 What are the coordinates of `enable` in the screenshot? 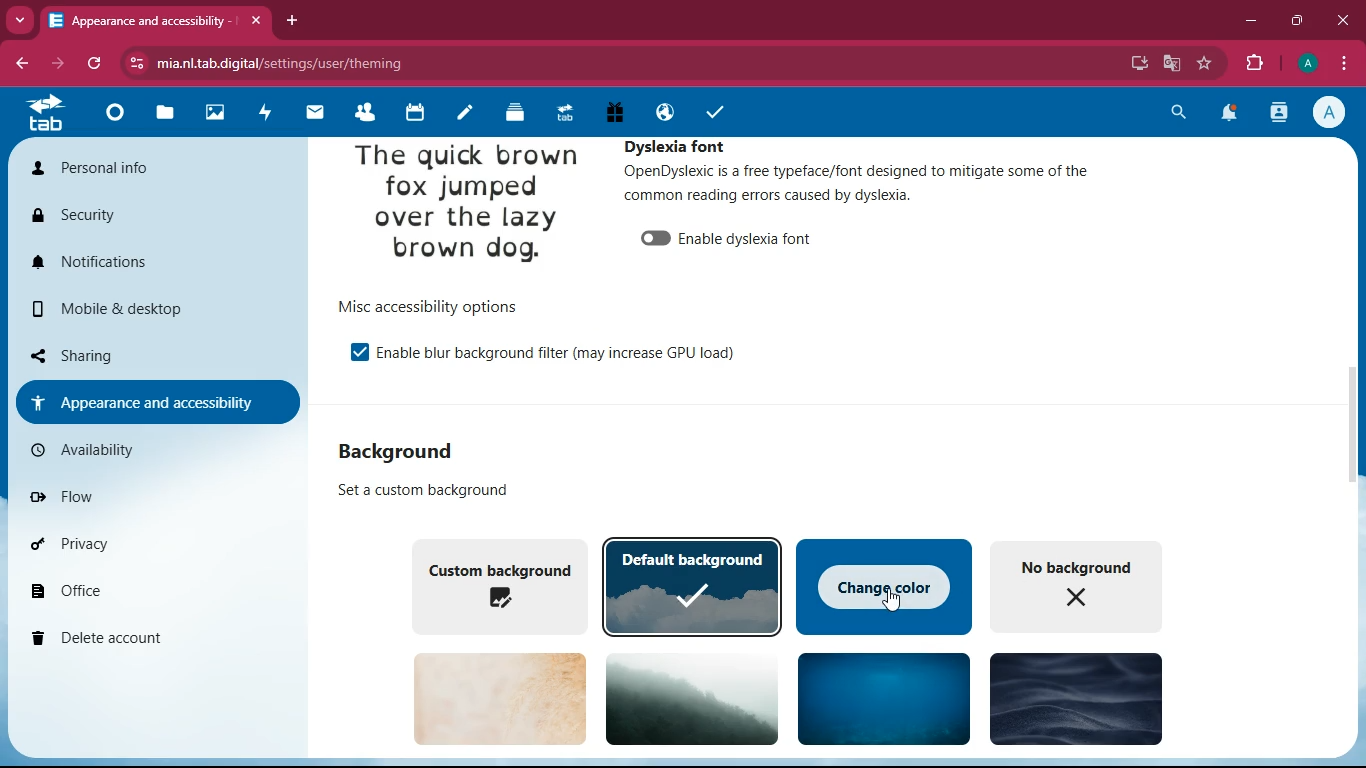 It's located at (654, 239).